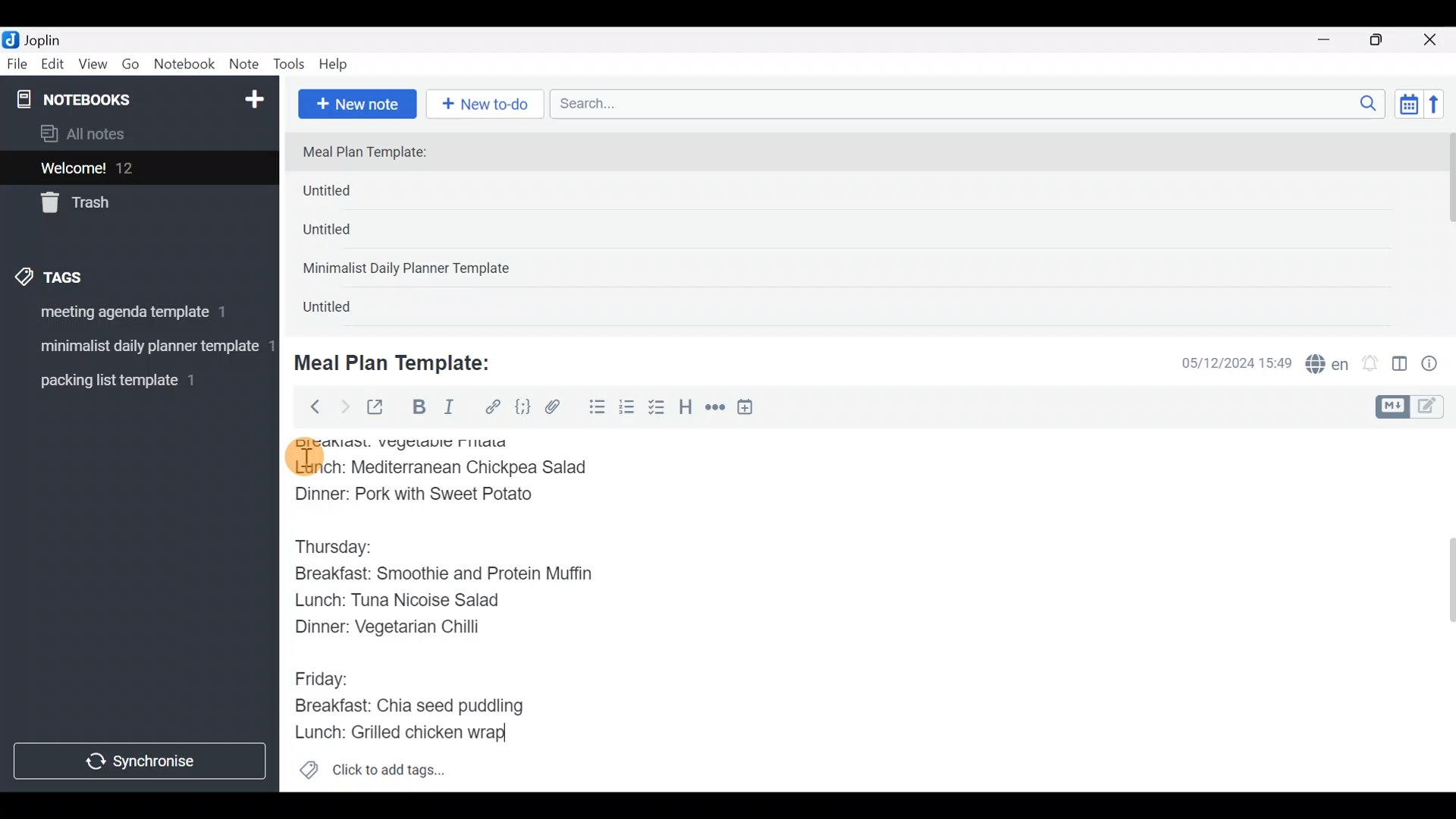 This screenshot has height=819, width=1456. I want to click on Set alarm, so click(1371, 365).